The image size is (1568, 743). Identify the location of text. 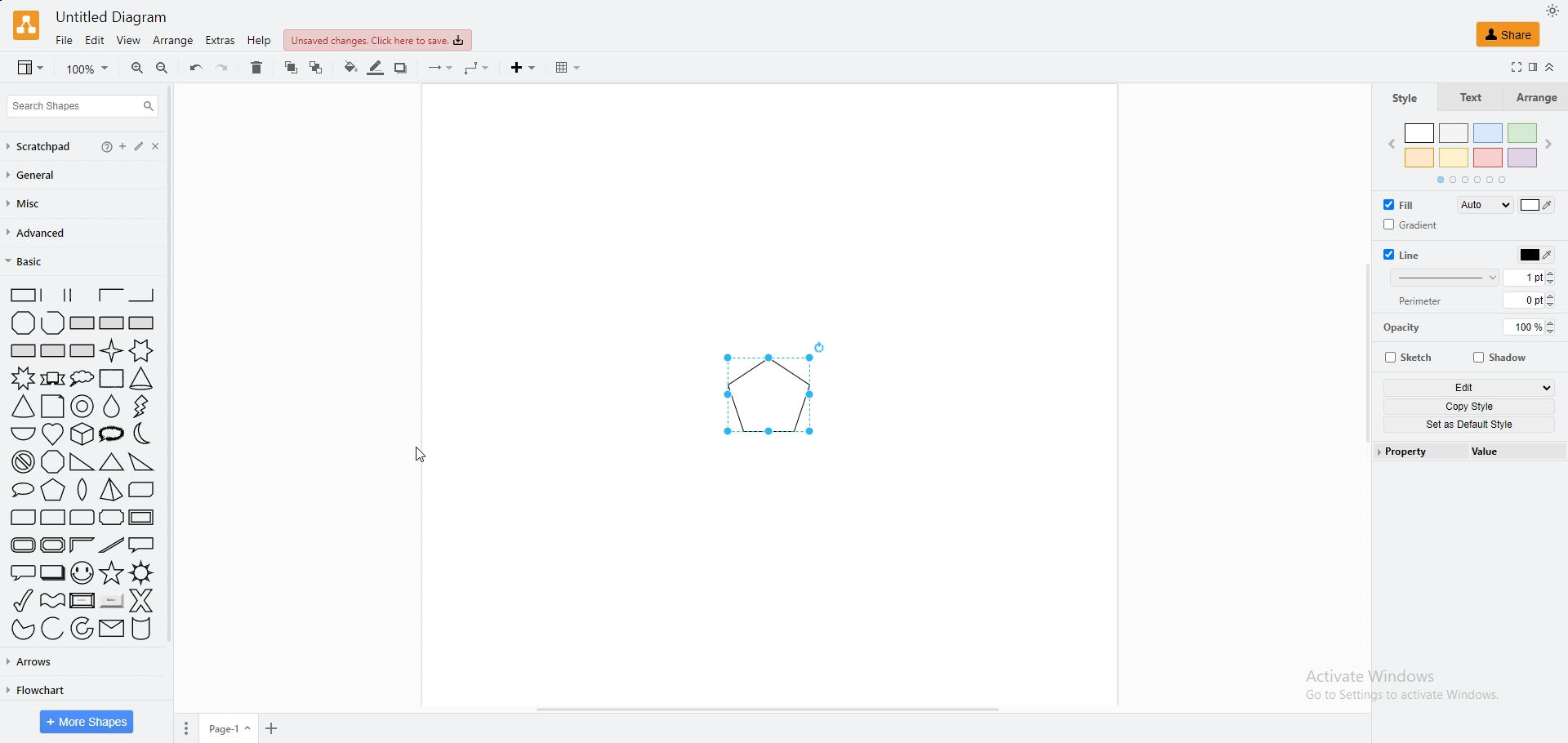
(1469, 98).